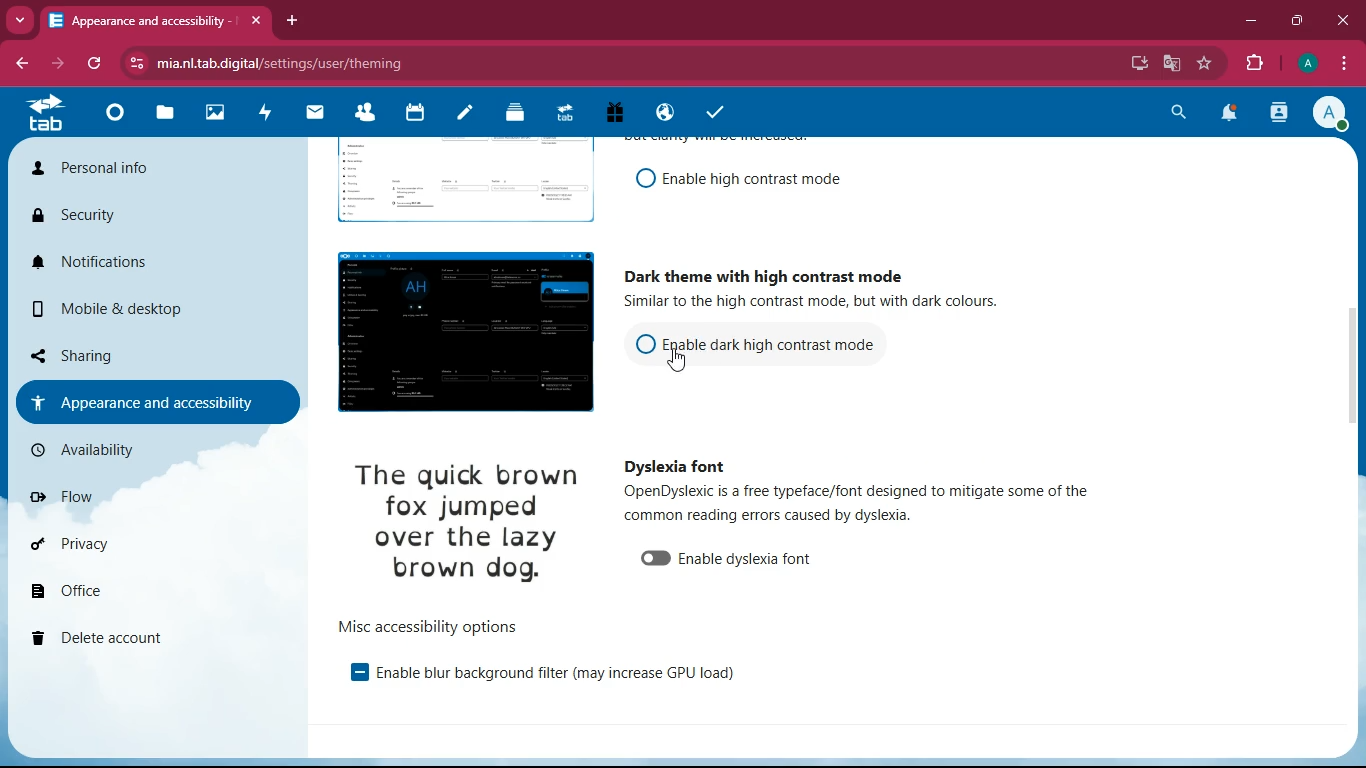 This screenshot has height=768, width=1366. I want to click on enable, so click(555, 675).